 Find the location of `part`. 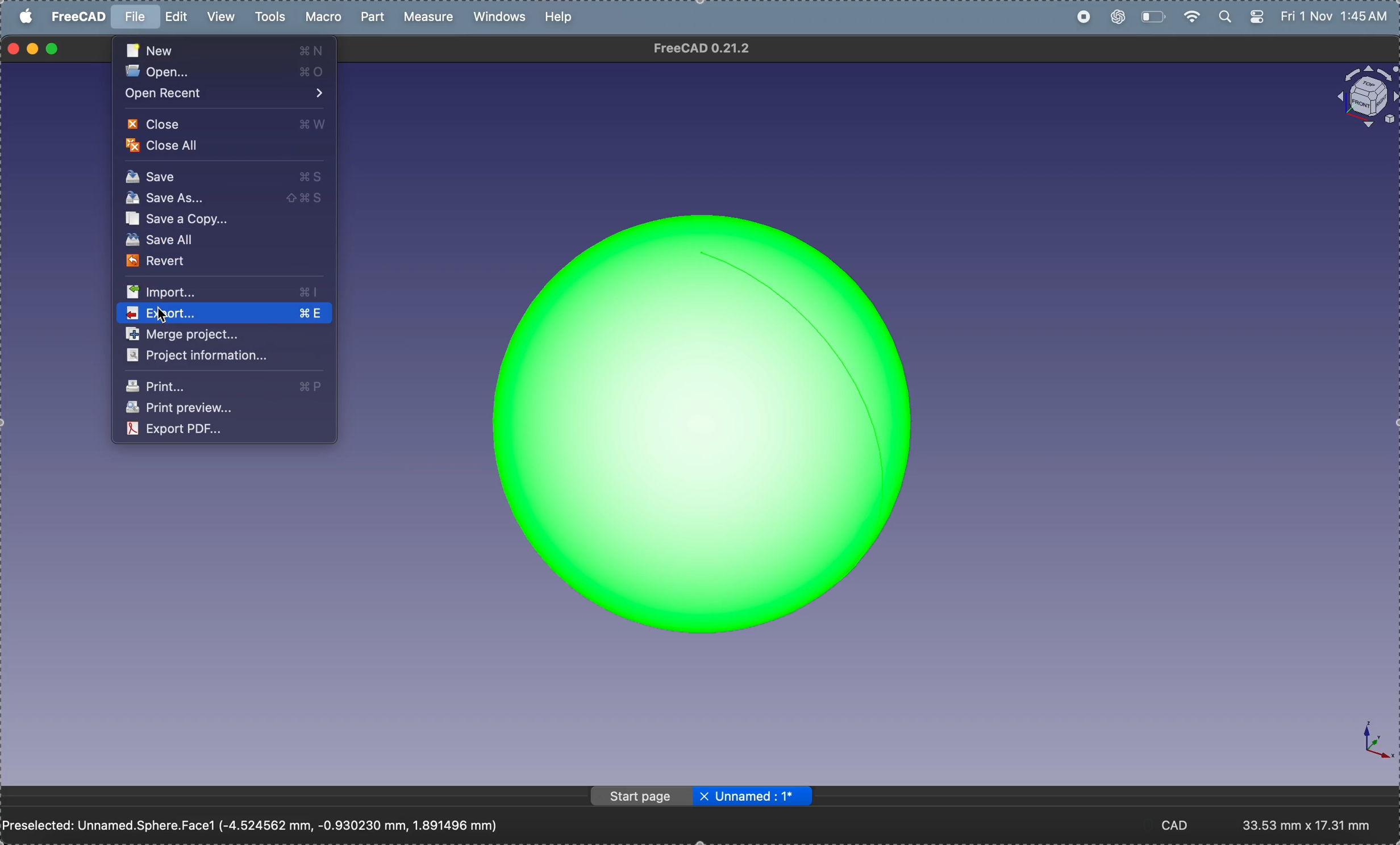

part is located at coordinates (376, 16).